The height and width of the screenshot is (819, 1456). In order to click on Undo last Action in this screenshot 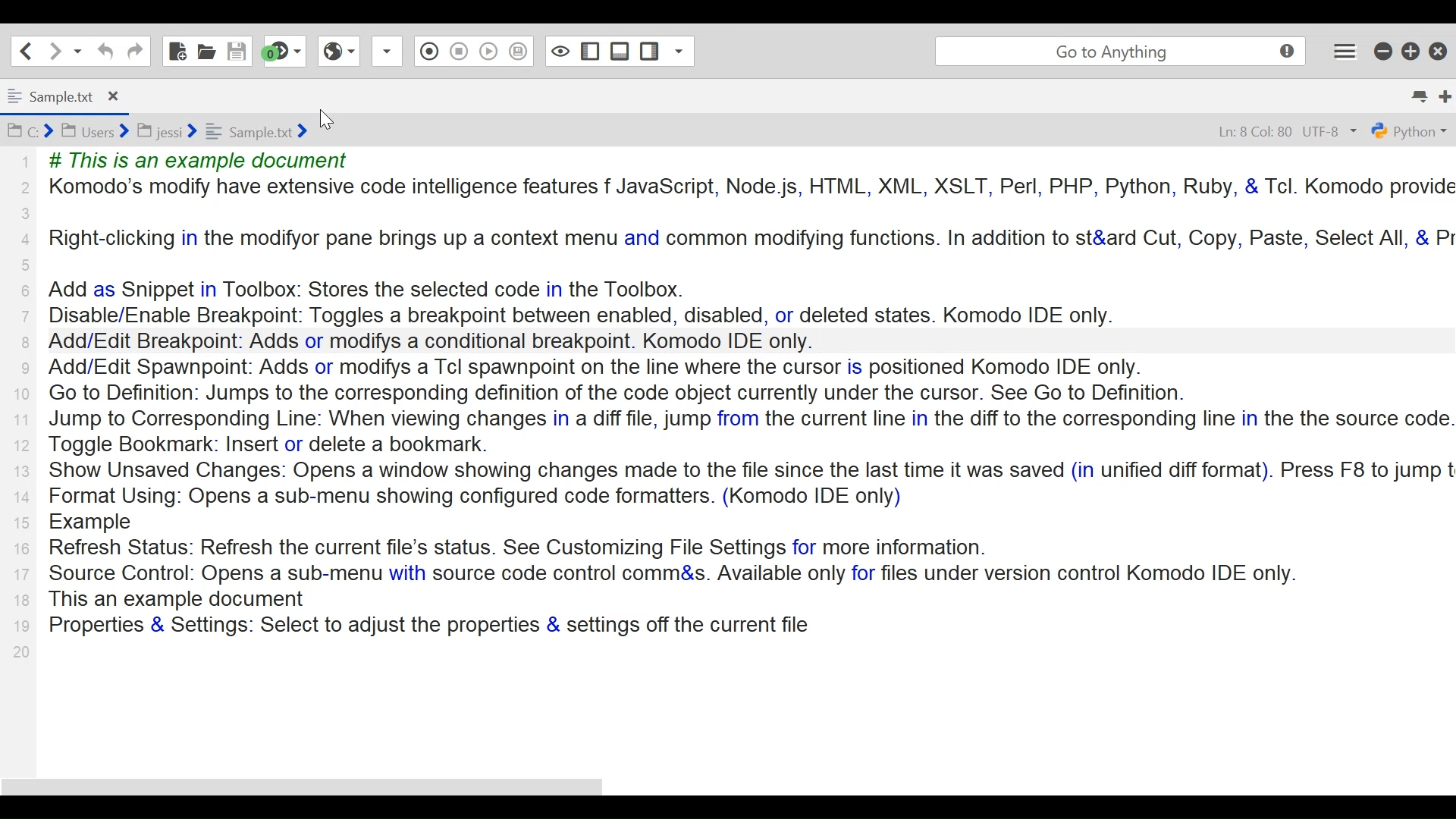, I will do `click(107, 50)`.